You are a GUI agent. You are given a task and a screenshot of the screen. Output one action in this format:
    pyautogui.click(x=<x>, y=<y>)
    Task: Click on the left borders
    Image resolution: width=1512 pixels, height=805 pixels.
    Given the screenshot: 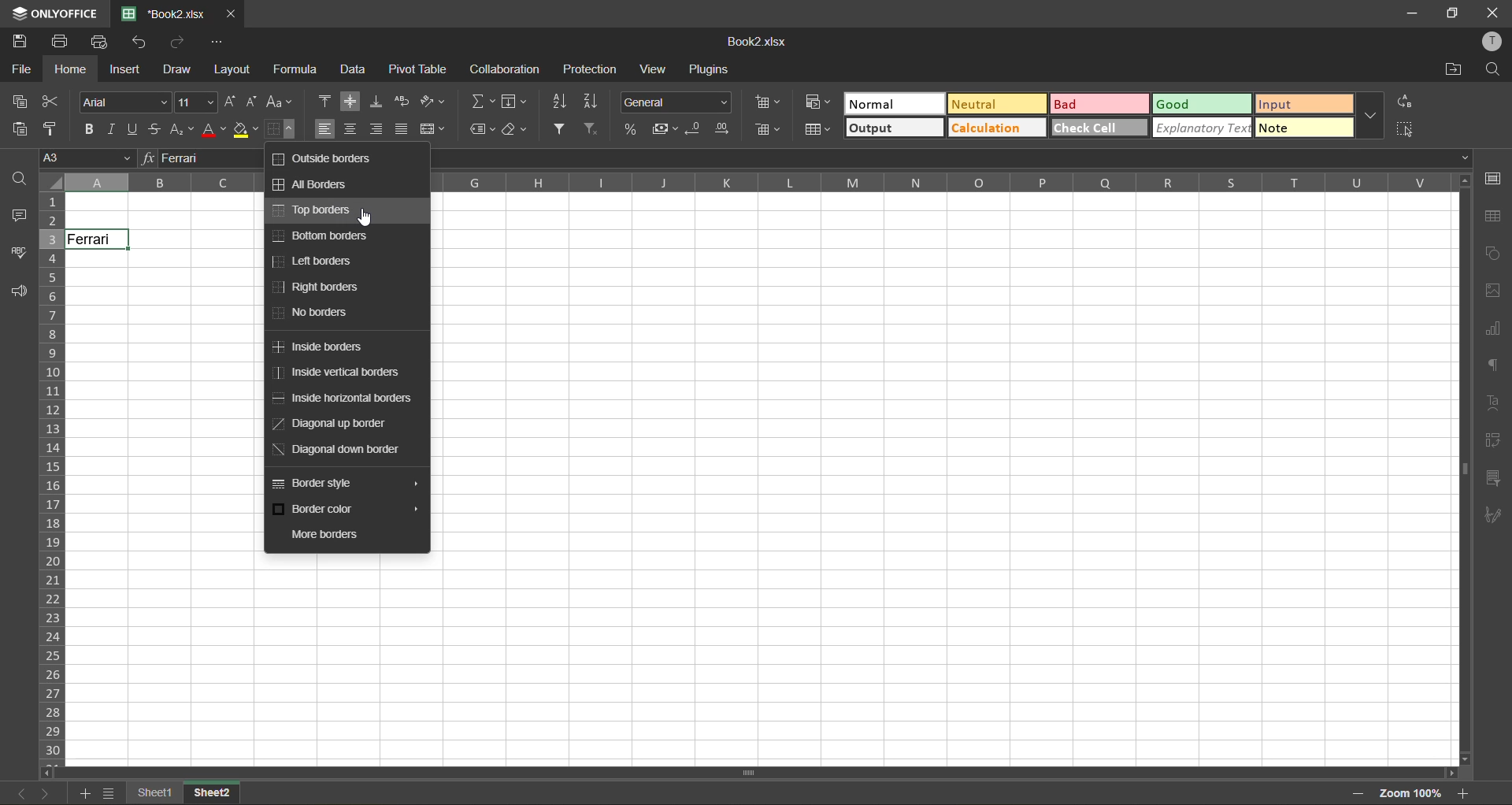 What is the action you would take?
    pyautogui.click(x=316, y=261)
    